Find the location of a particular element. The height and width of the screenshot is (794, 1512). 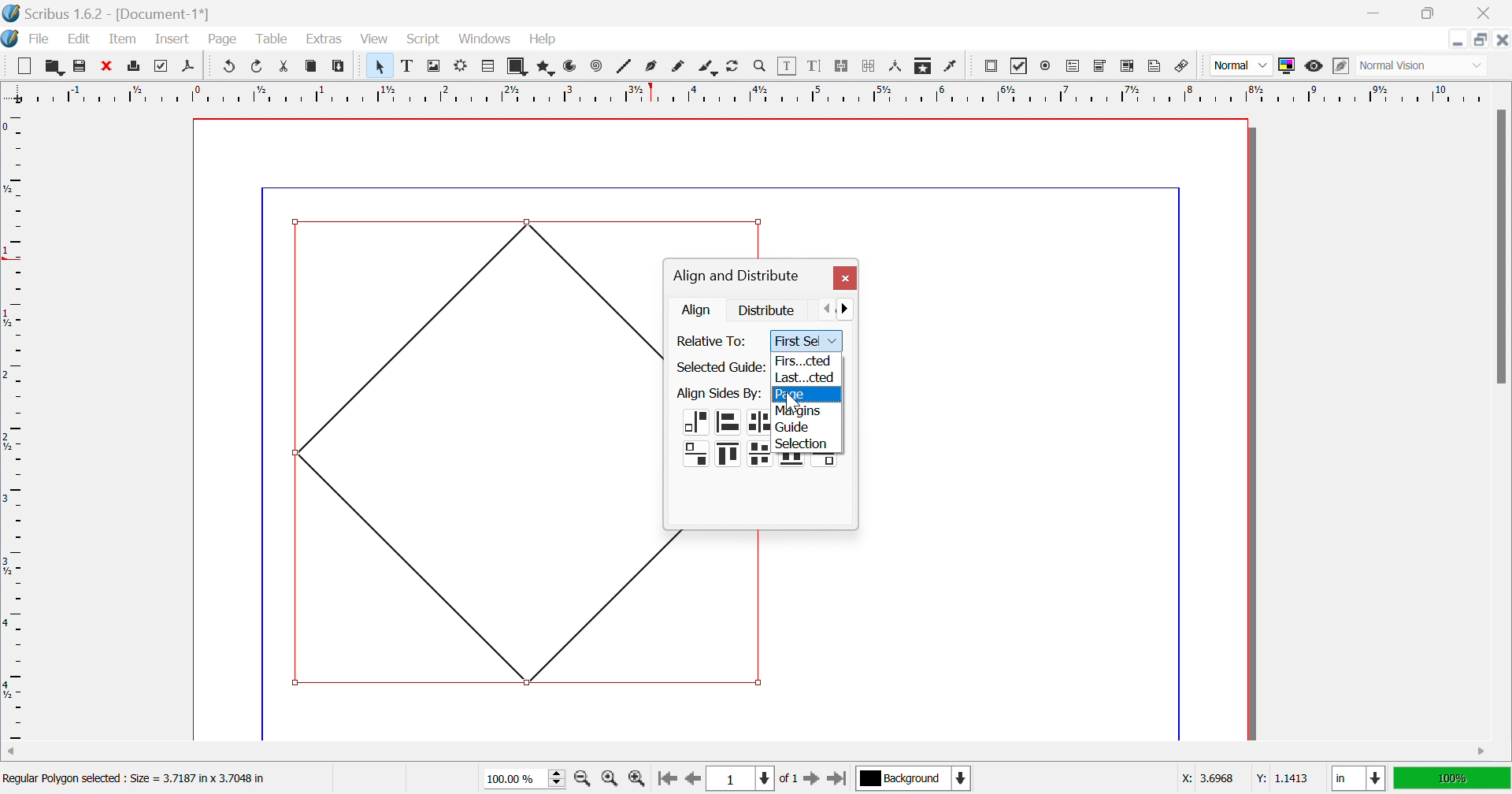

Toggle Color Management System is located at coordinates (1286, 65).